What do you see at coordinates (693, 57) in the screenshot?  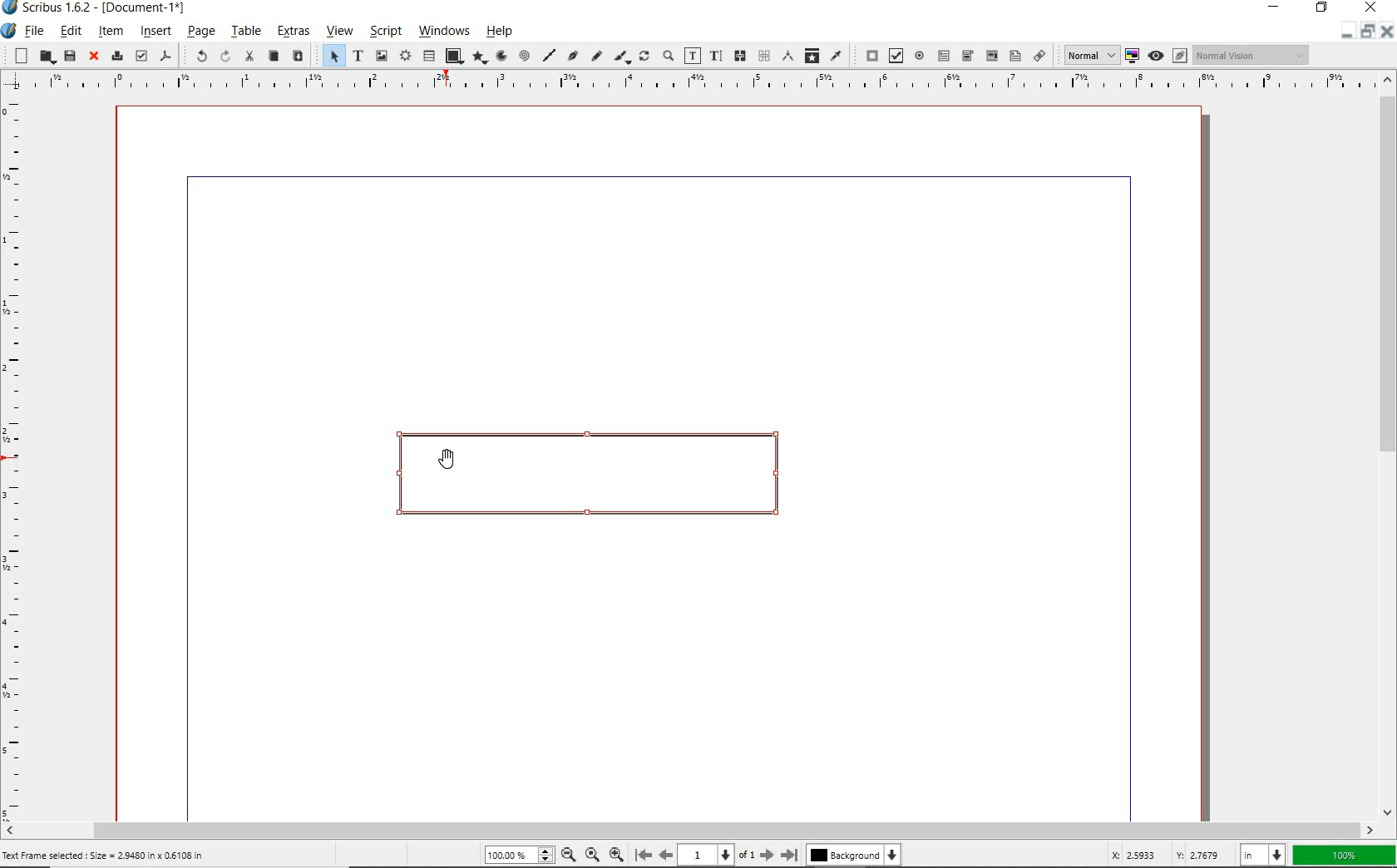 I see `edit contents of frame` at bounding box center [693, 57].